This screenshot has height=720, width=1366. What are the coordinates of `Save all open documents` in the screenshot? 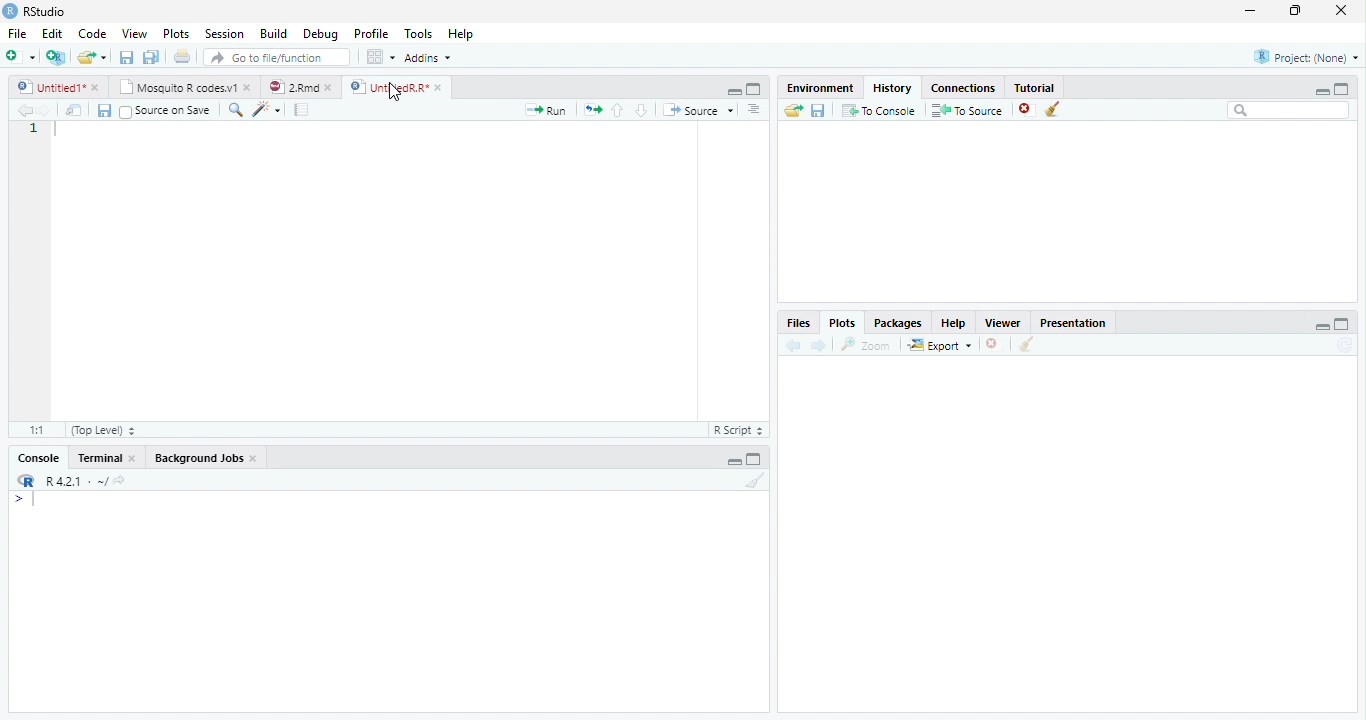 It's located at (150, 56).